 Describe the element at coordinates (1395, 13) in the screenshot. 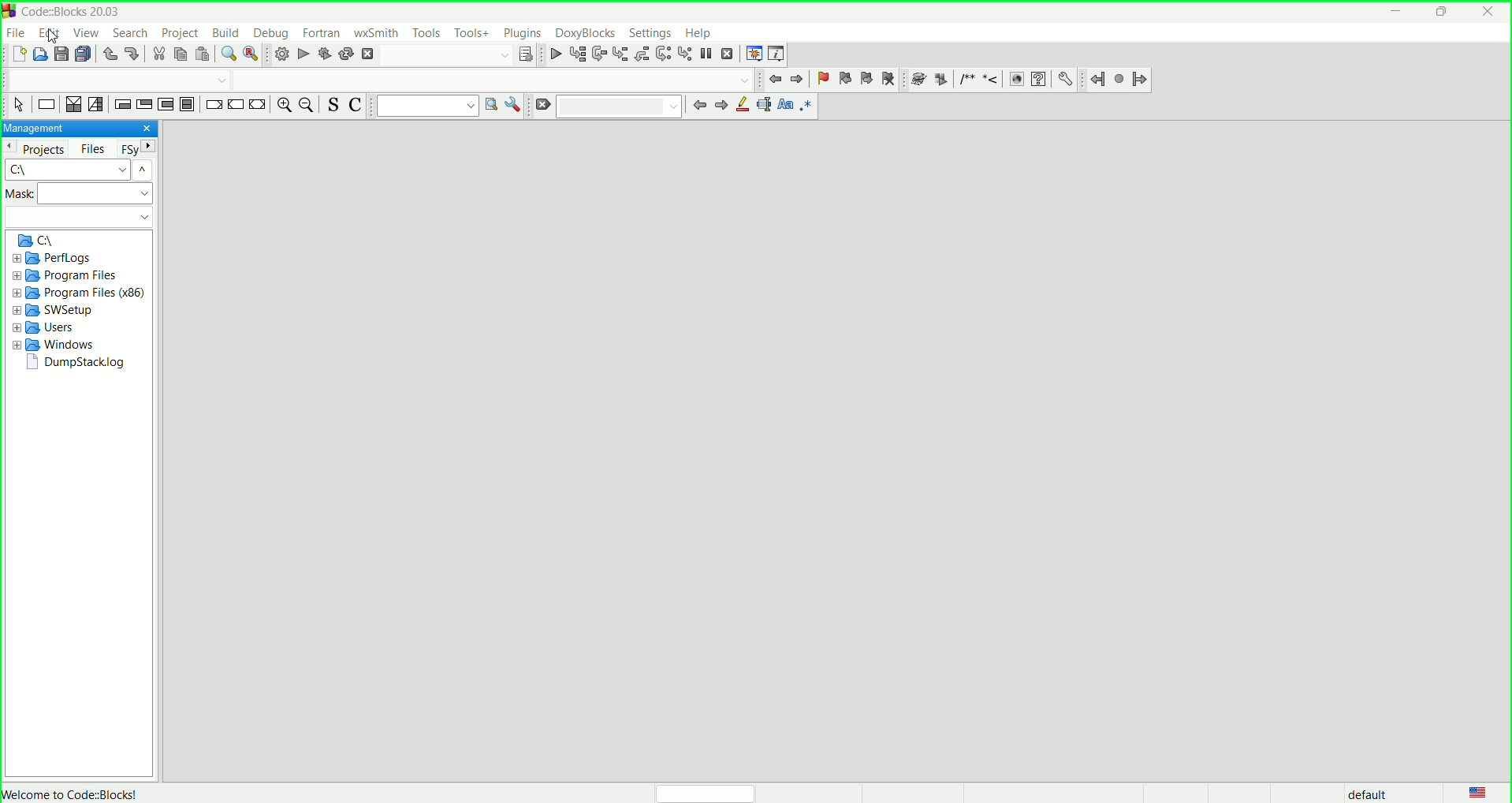

I see `minimize` at that location.